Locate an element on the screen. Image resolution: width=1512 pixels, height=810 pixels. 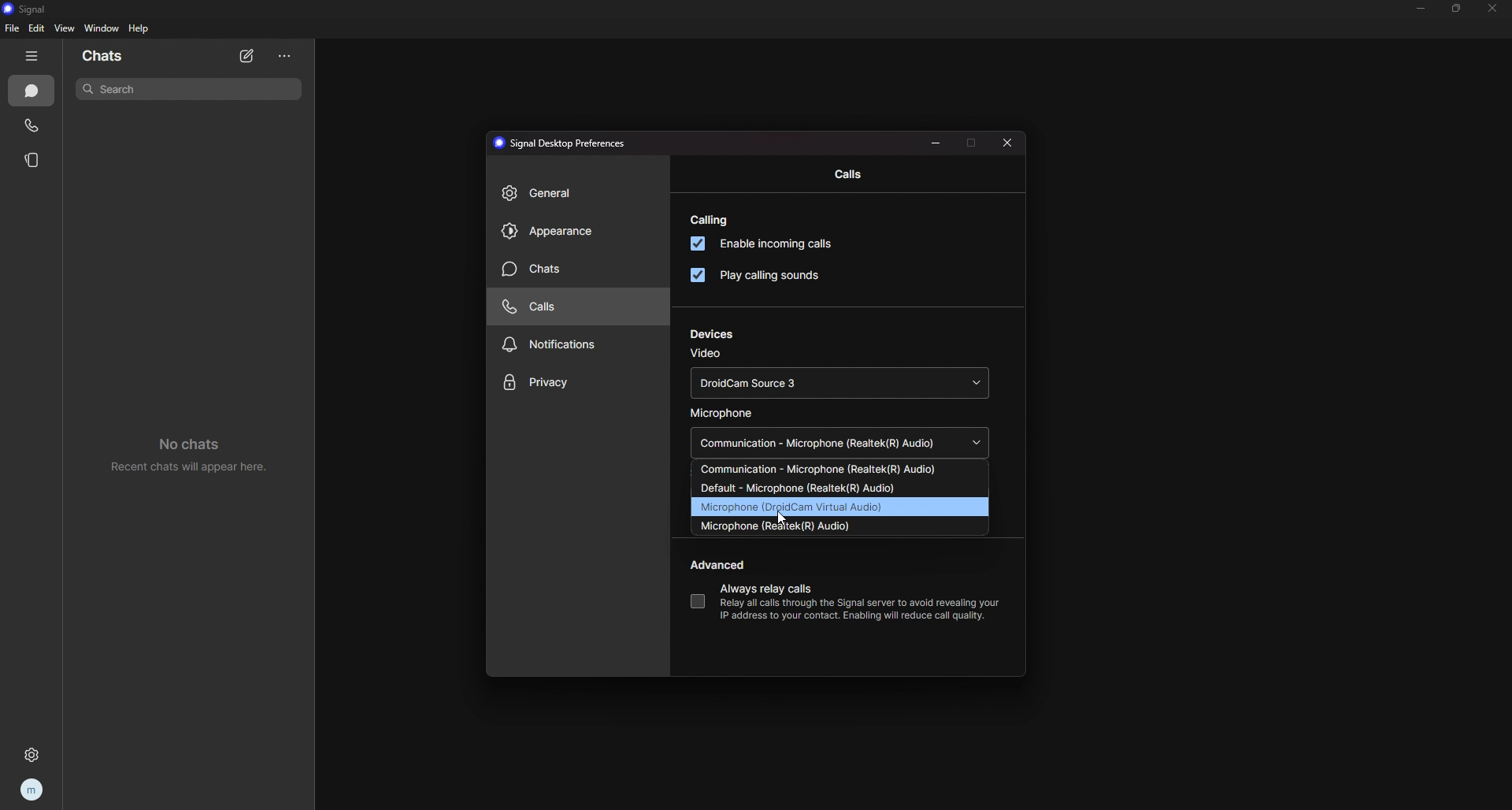
calls is located at coordinates (32, 125).